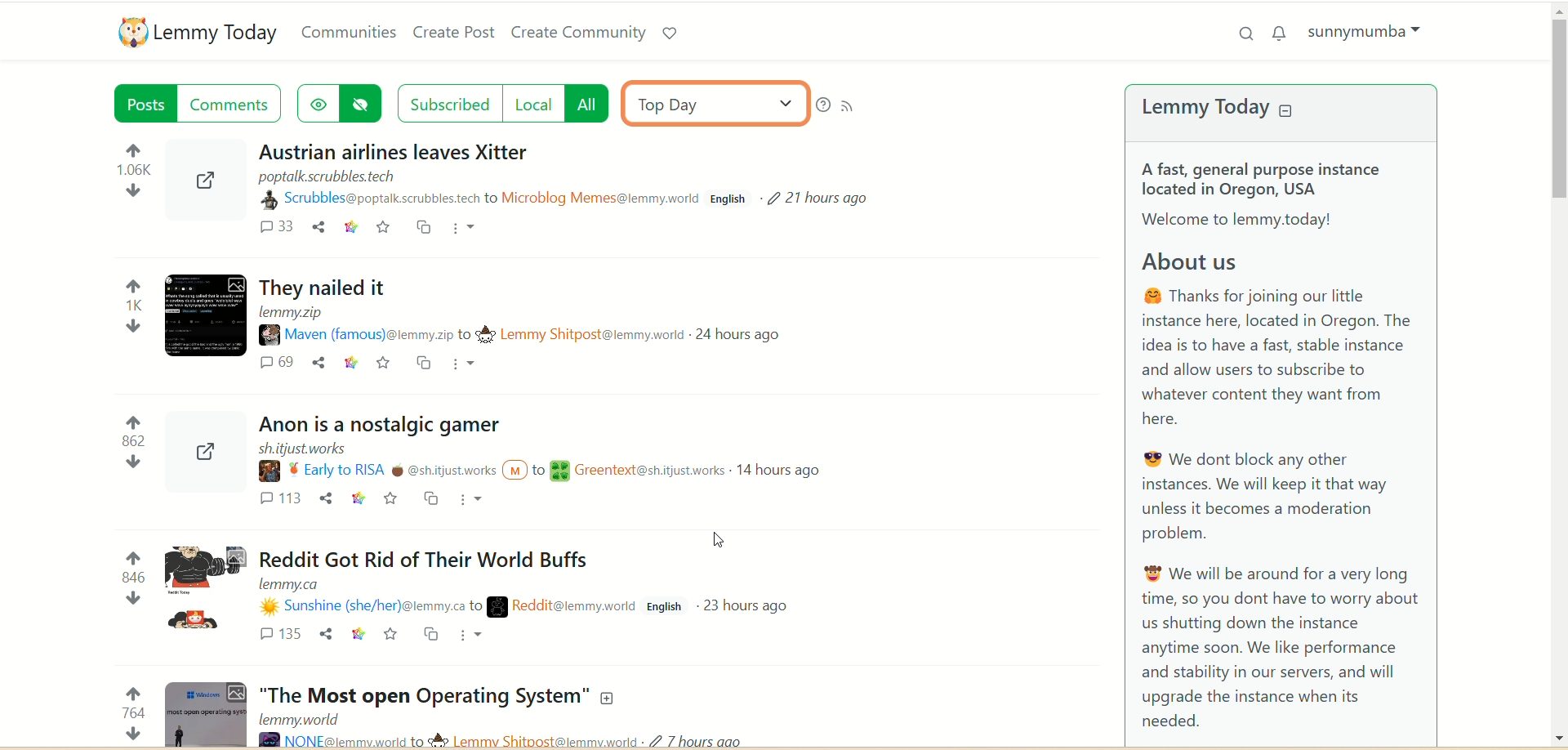 Image resolution: width=1568 pixels, height=750 pixels. Describe the element at coordinates (722, 542) in the screenshot. I see `Pointer` at that location.